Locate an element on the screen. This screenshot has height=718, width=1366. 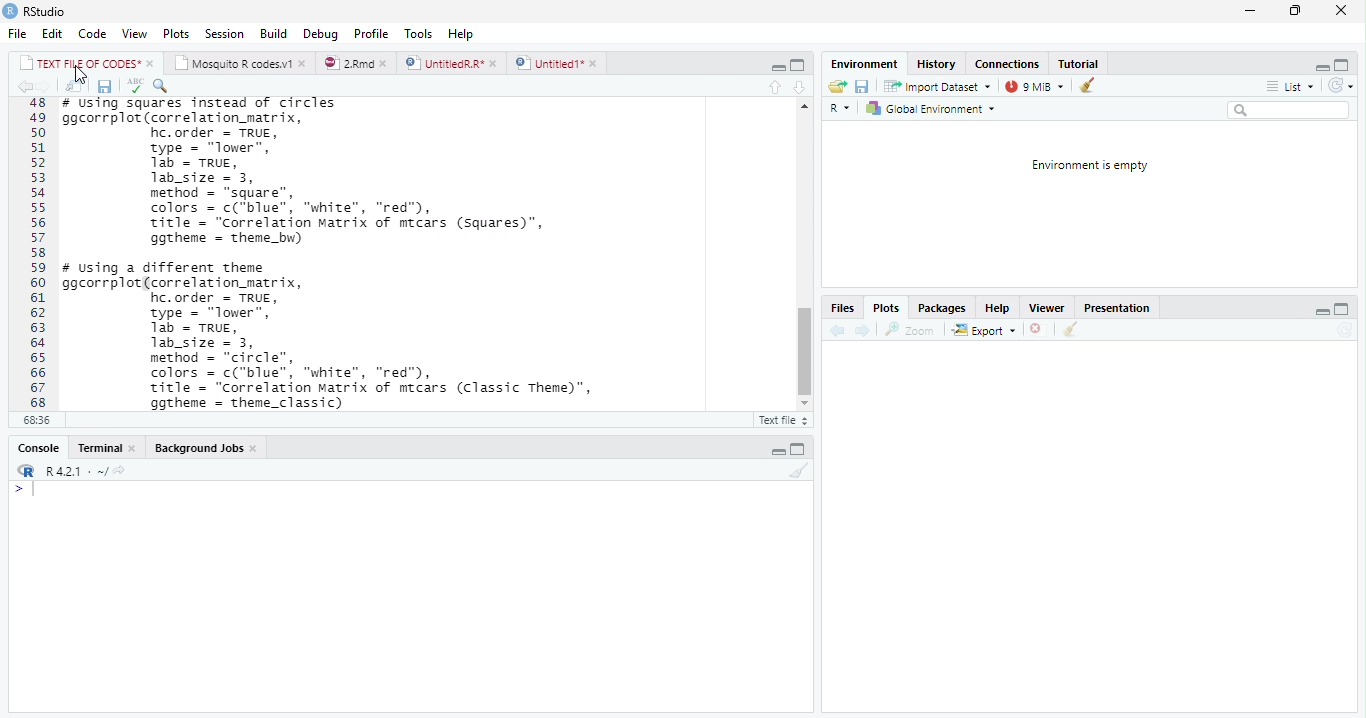
typing cursor is located at coordinates (26, 492).